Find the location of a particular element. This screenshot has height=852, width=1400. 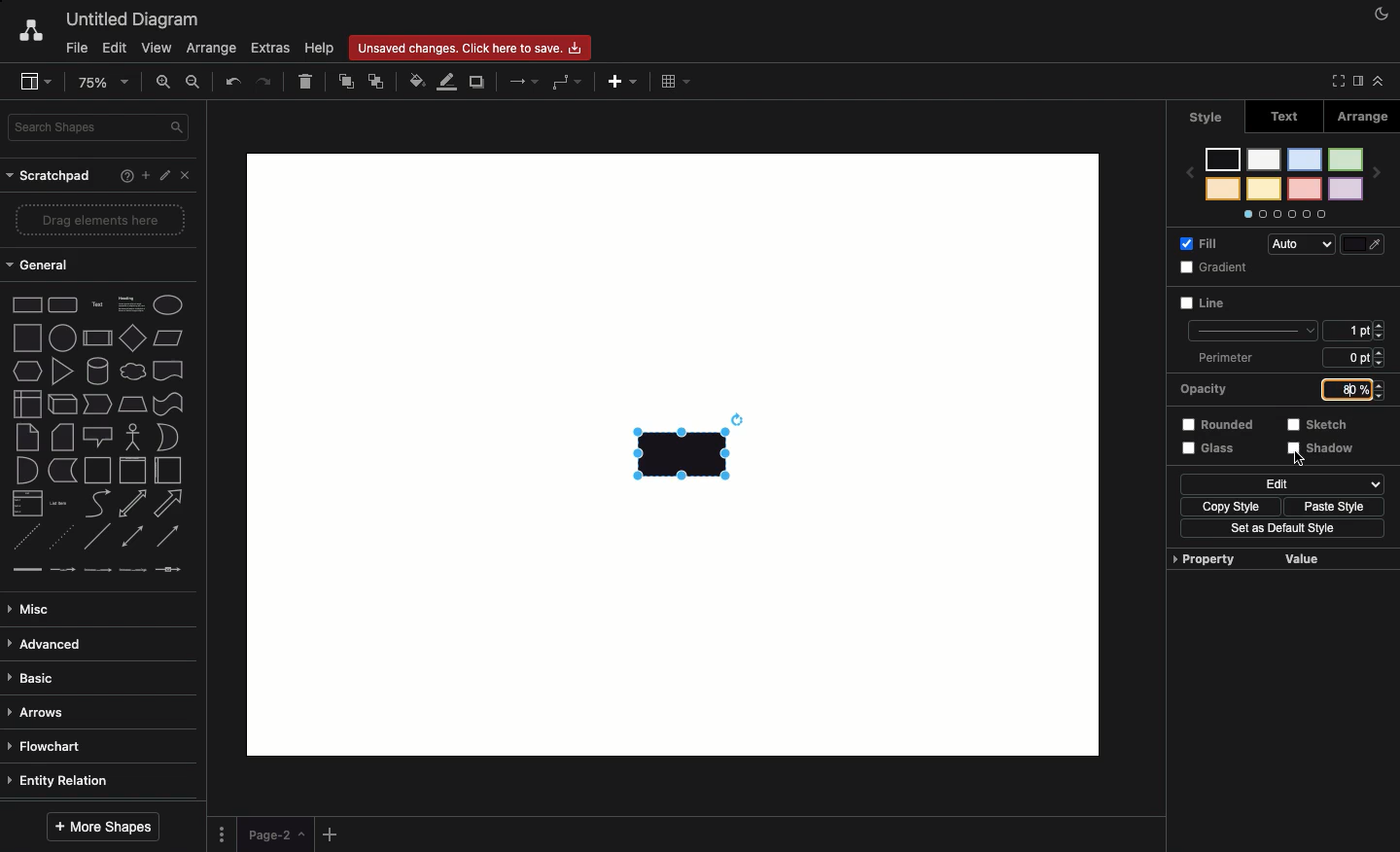

Add is located at coordinates (144, 175).